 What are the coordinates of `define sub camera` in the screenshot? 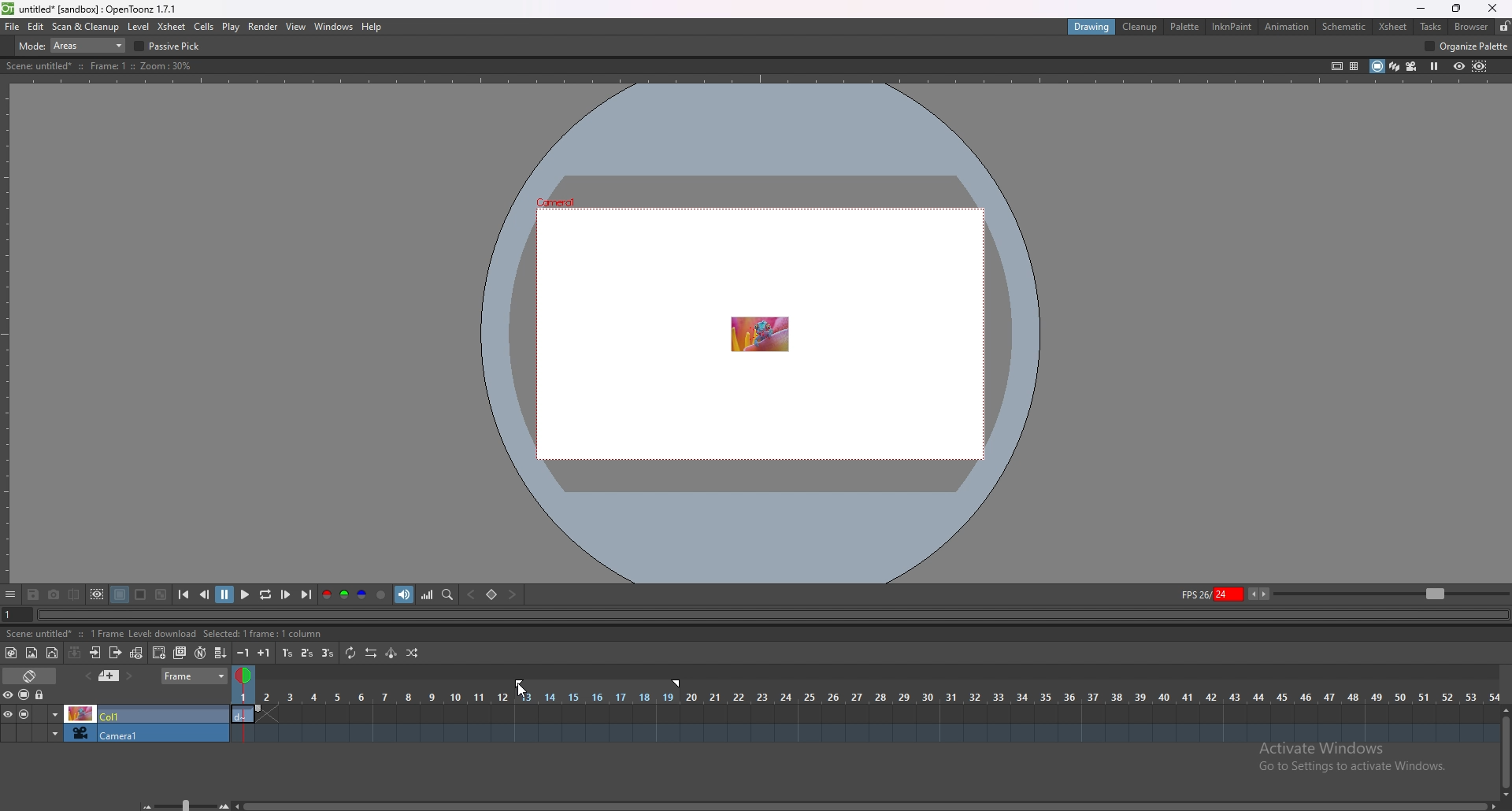 It's located at (98, 594).